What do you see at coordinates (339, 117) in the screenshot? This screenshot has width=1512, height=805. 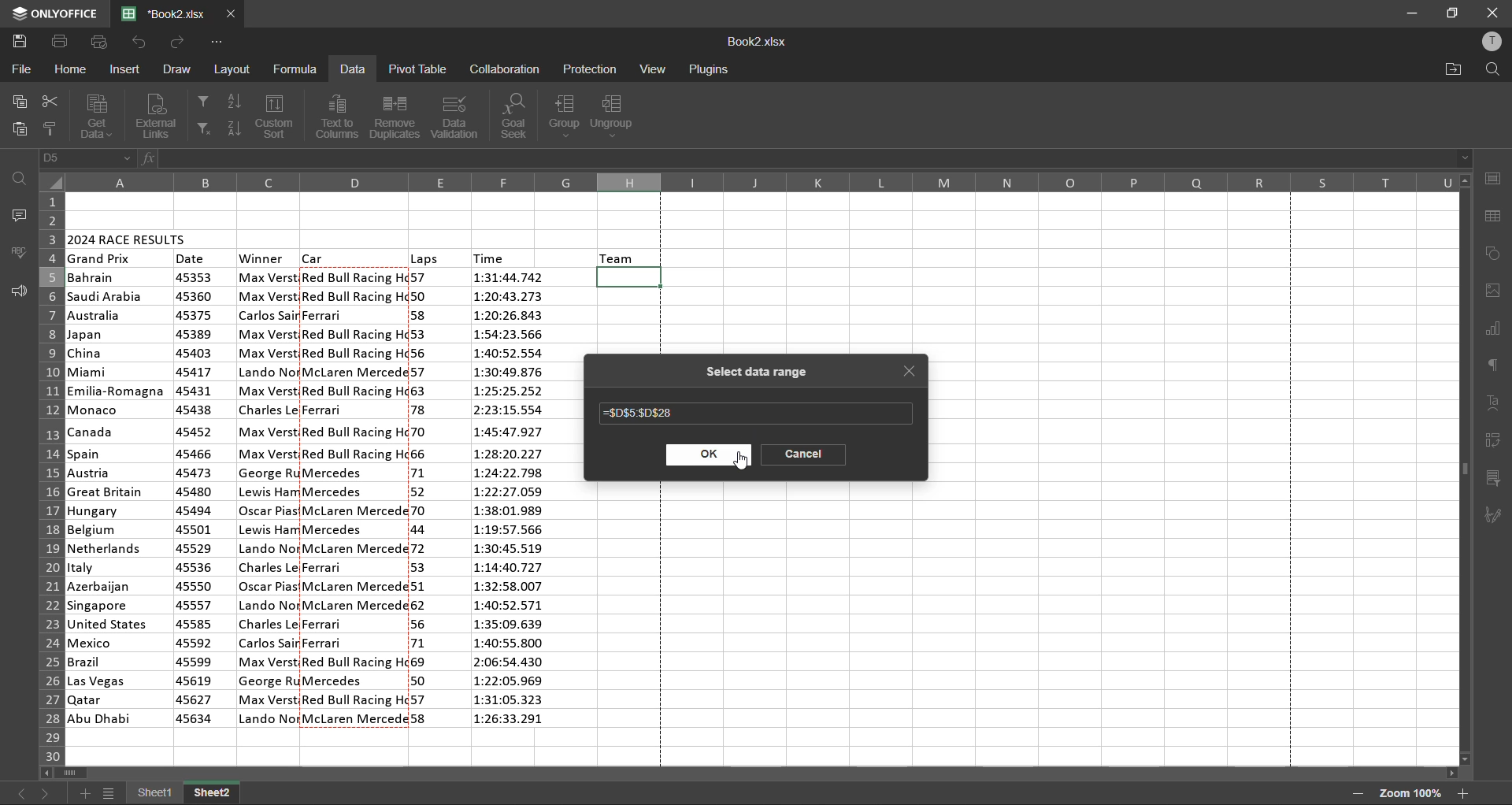 I see `text to columns` at bounding box center [339, 117].